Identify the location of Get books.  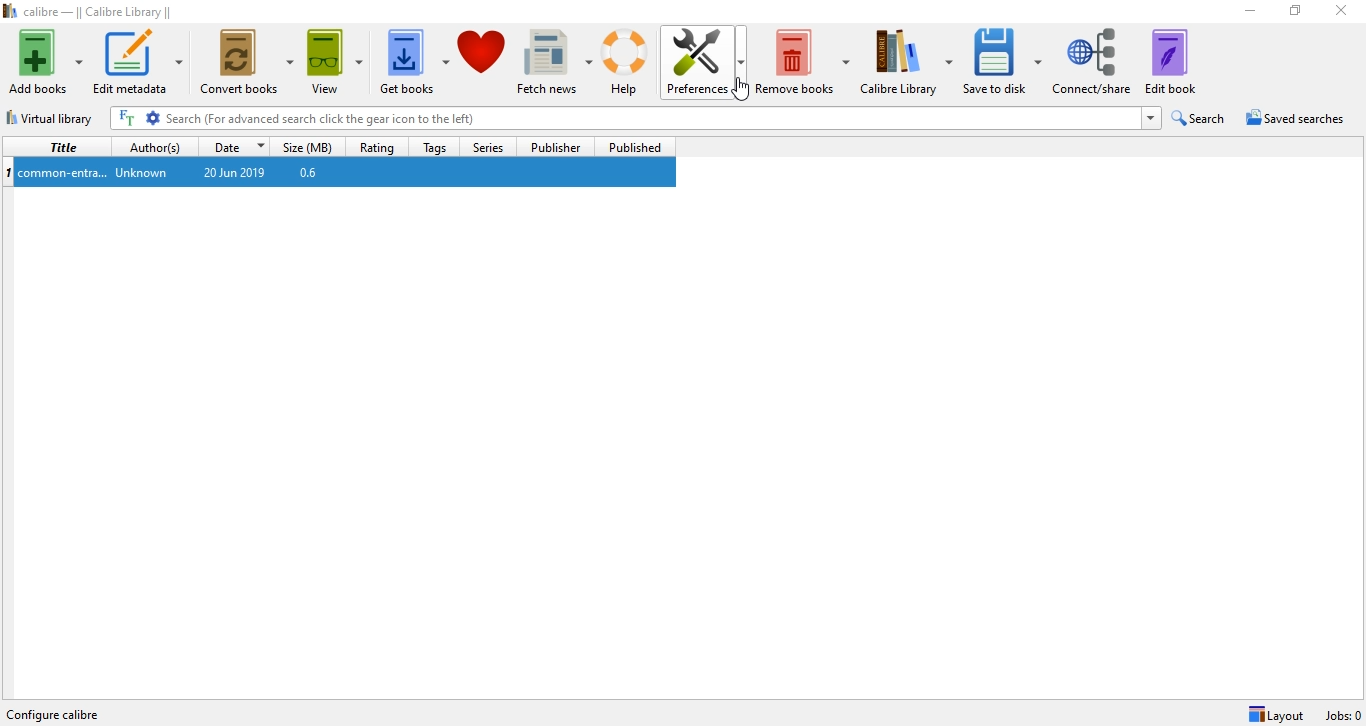
(412, 59).